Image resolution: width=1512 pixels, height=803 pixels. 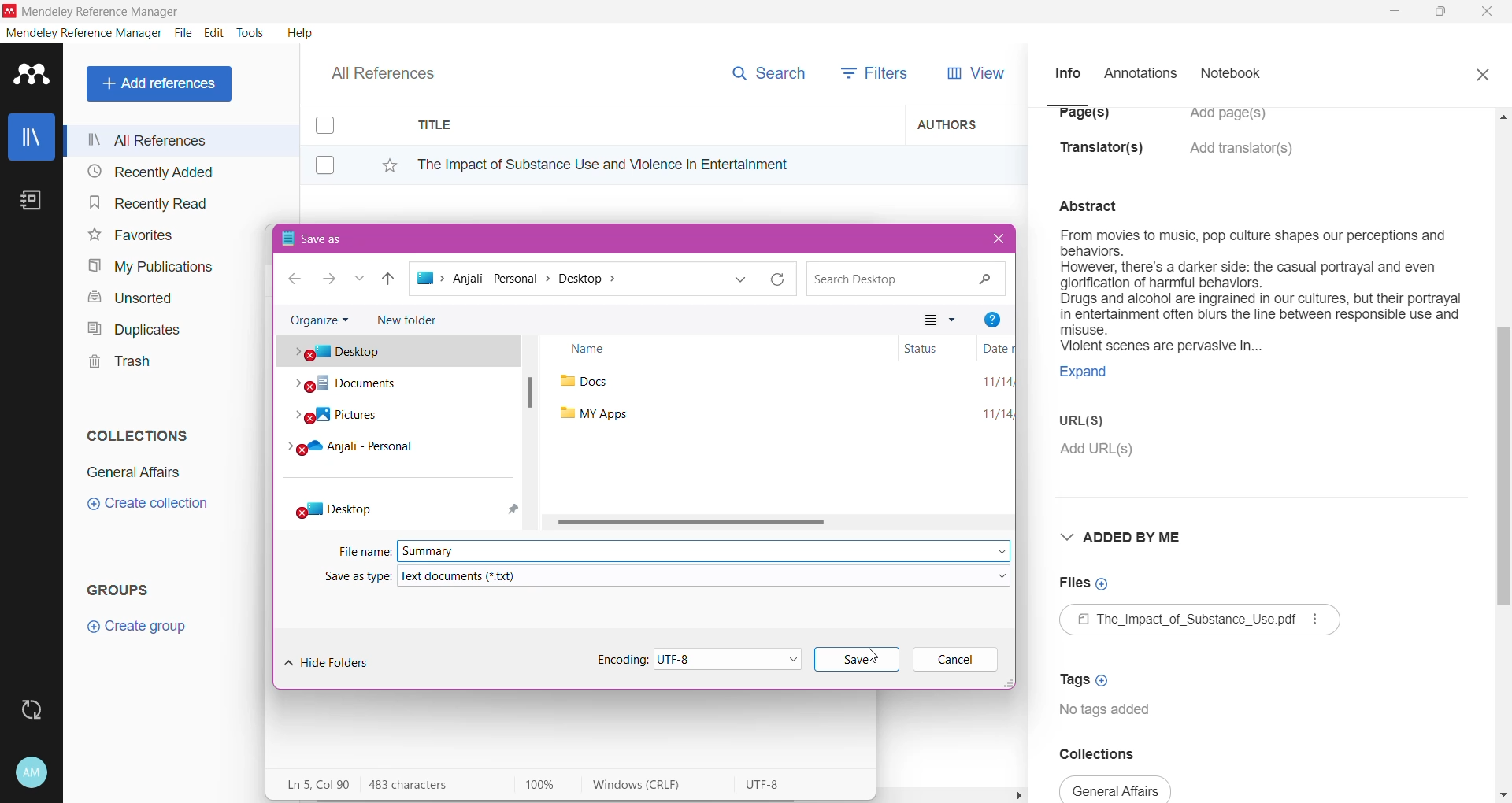 What do you see at coordinates (1503, 453) in the screenshot?
I see `Vertical Scroll Bar` at bounding box center [1503, 453].